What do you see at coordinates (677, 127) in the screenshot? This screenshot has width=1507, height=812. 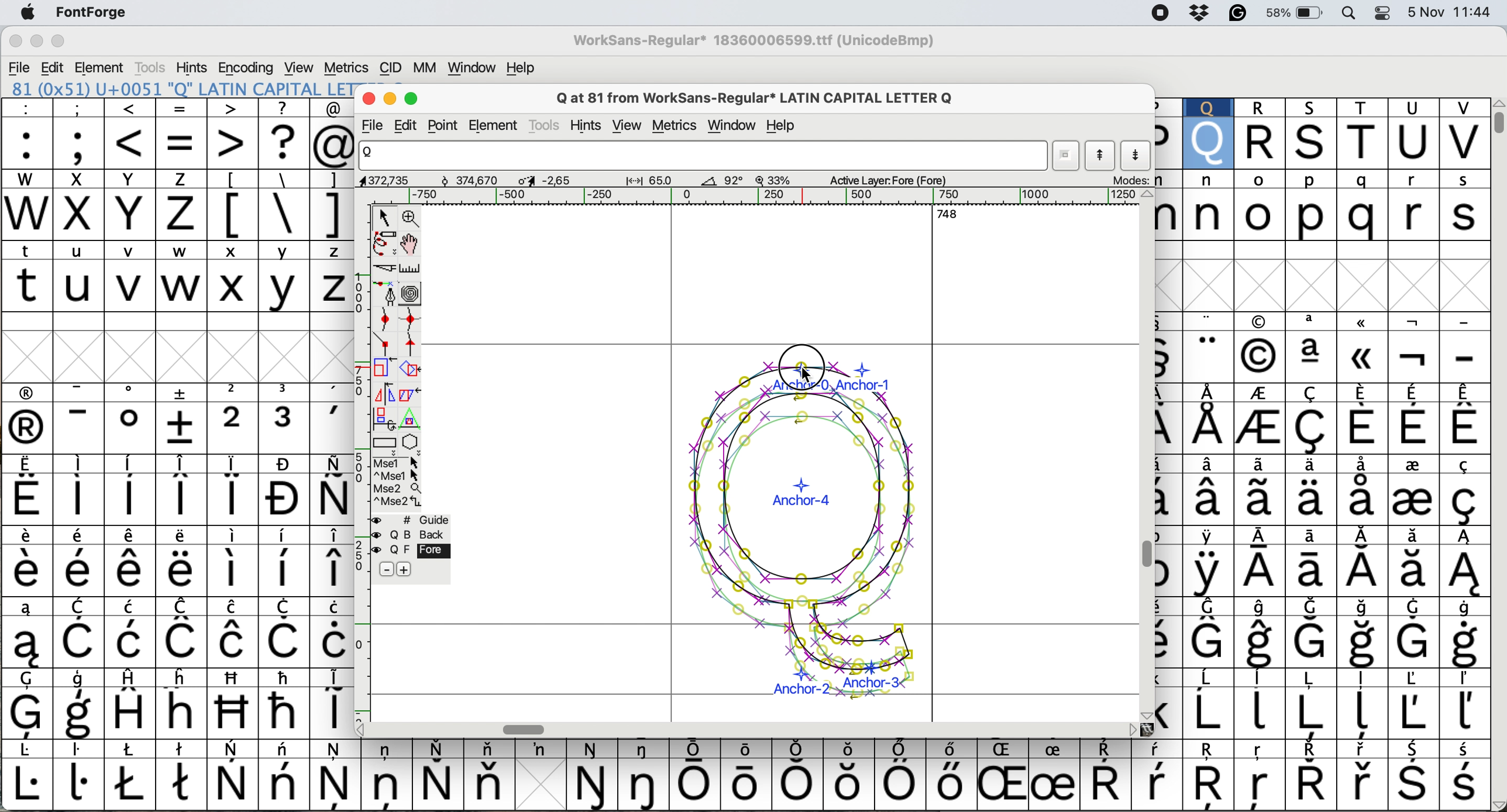 I see `metrics` at bounding box center [677, 127].